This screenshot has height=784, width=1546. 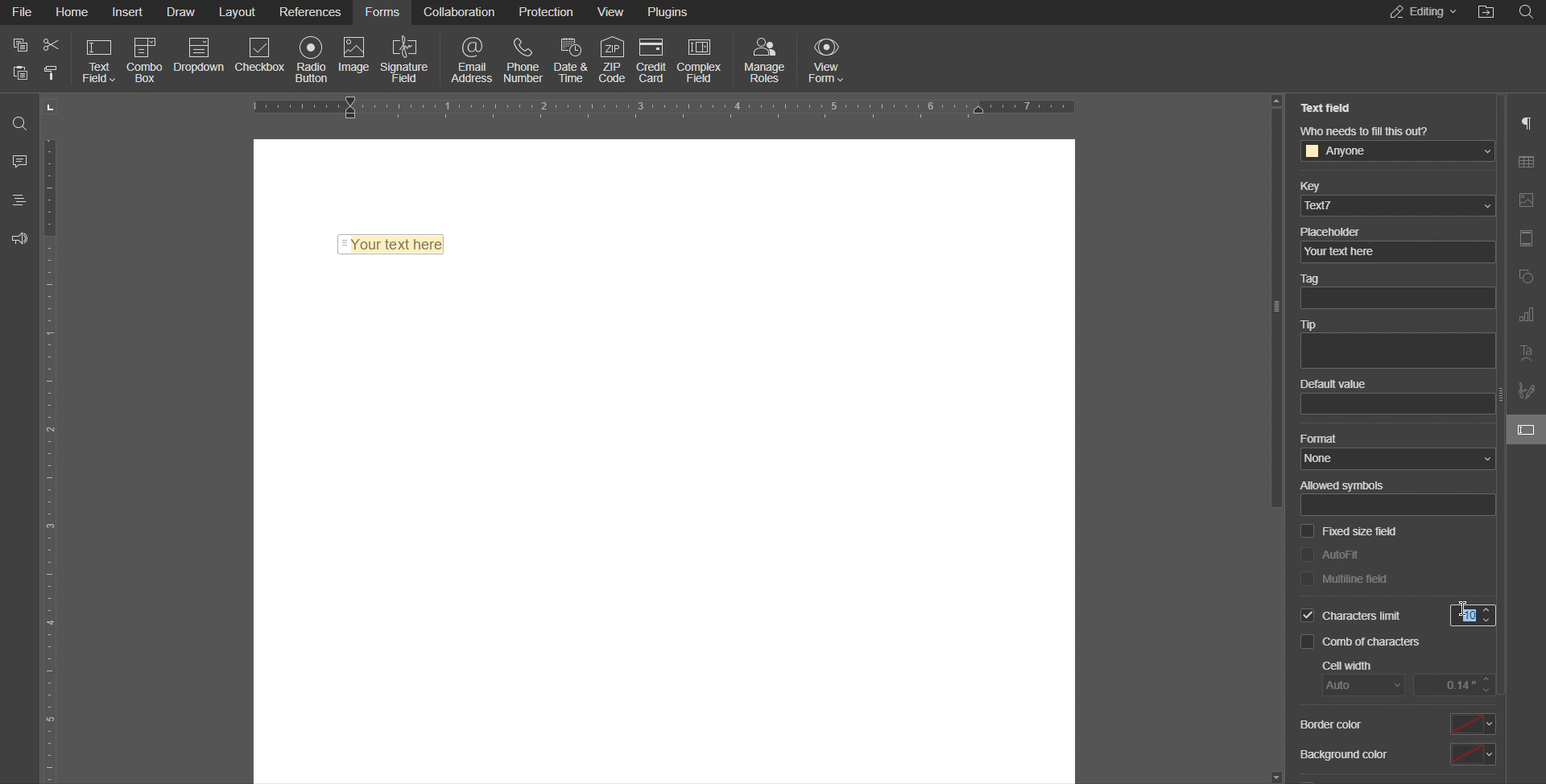 I want to click on Checkbox, so click(x=264, y=58).